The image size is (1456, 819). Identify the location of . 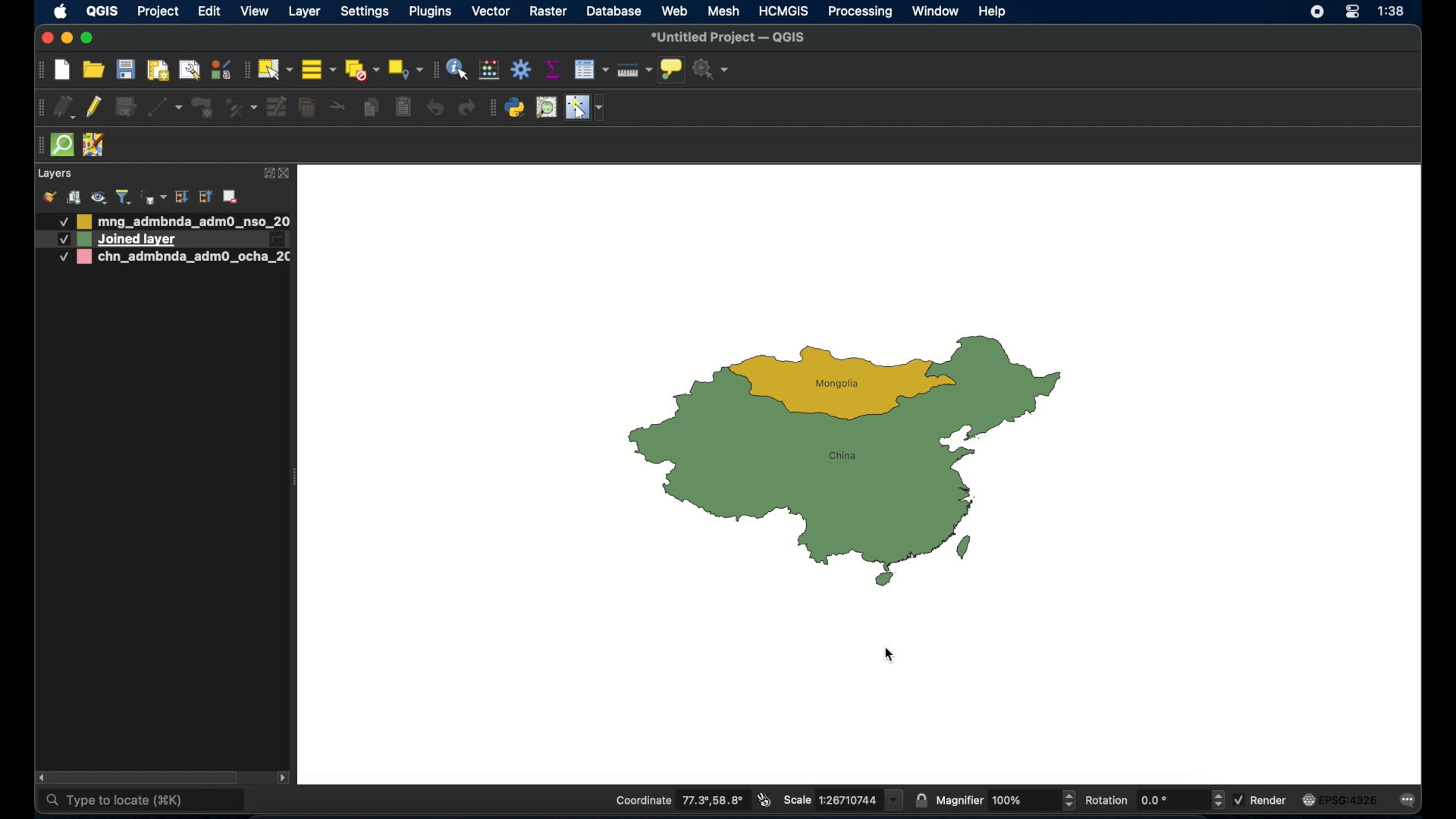
(62, 240).